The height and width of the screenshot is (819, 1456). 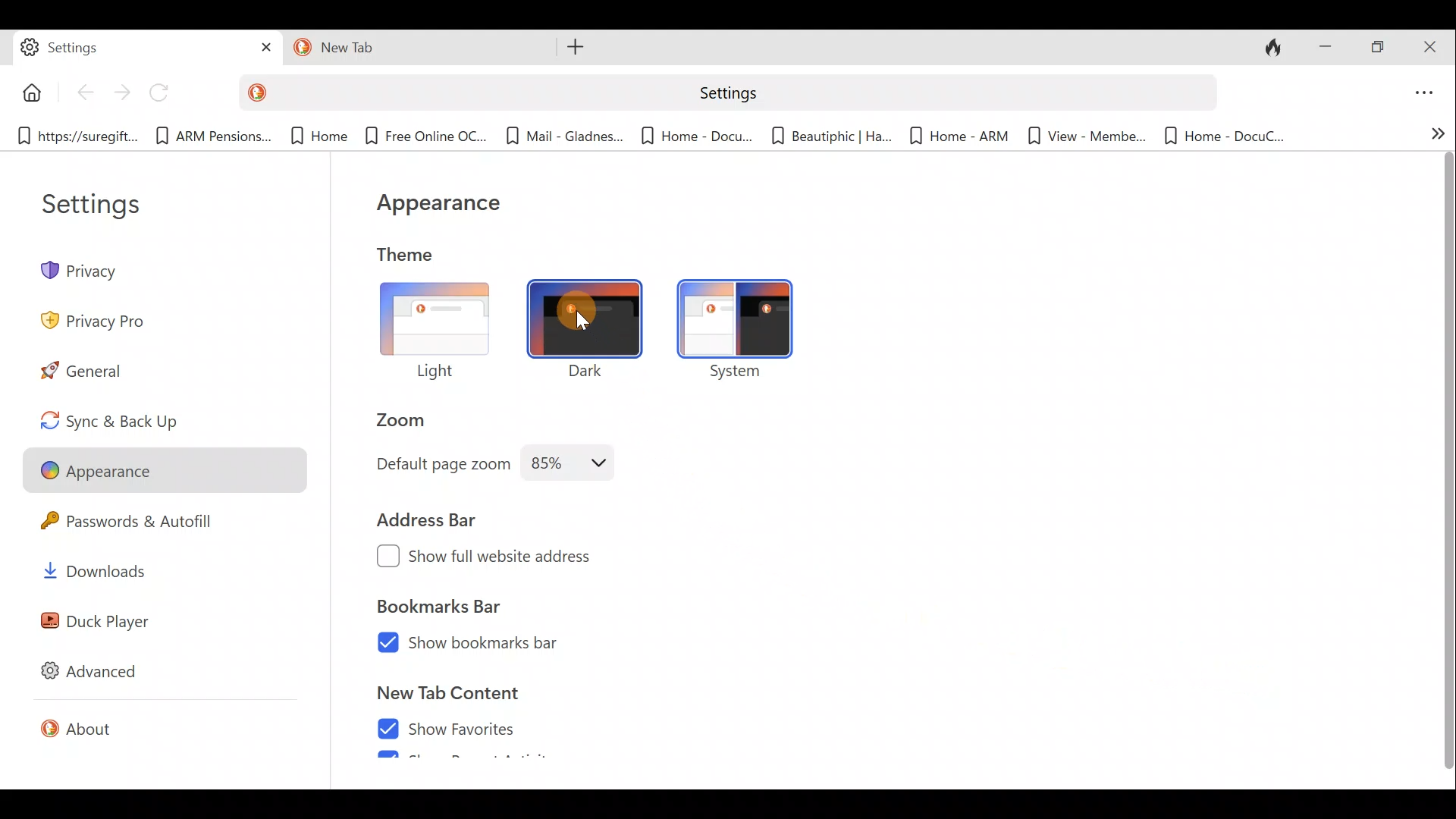 What do you see at coordinates (81, 366) in the screenshot?
I see `General` at bounding box center [81, 366].